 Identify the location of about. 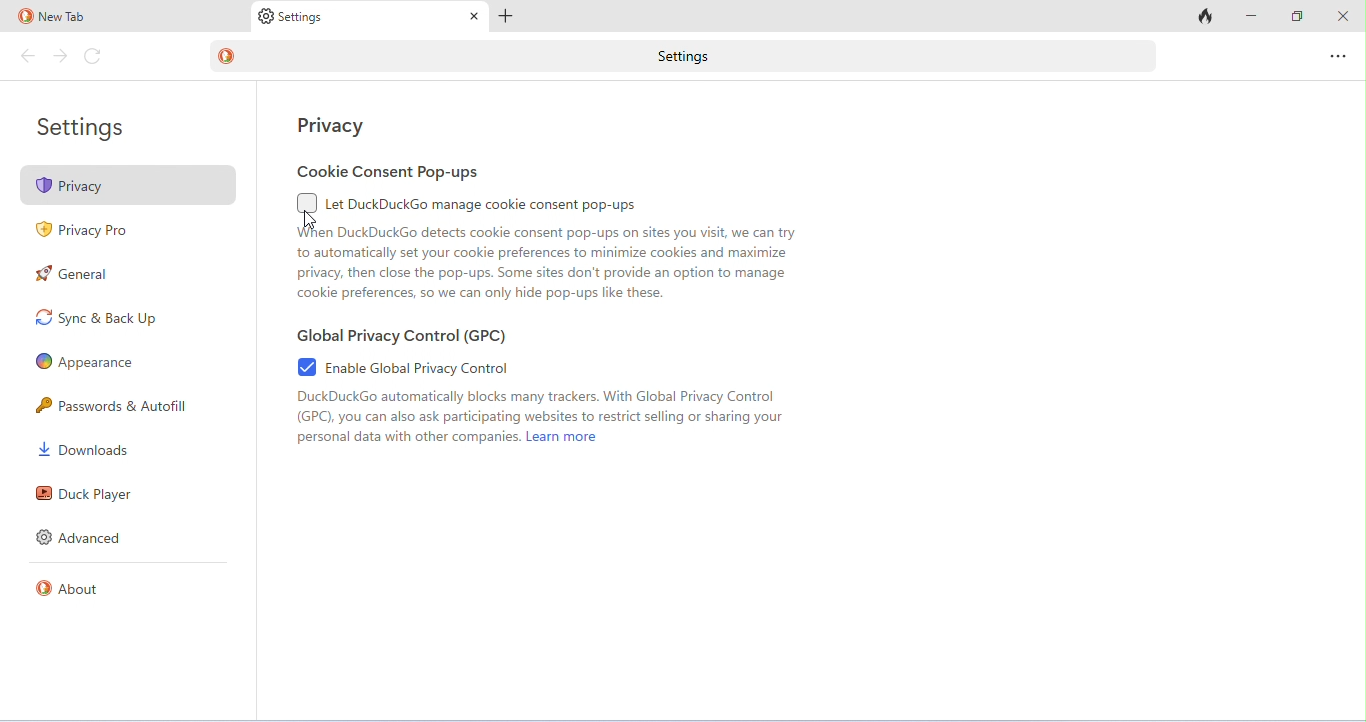
(70, 588).